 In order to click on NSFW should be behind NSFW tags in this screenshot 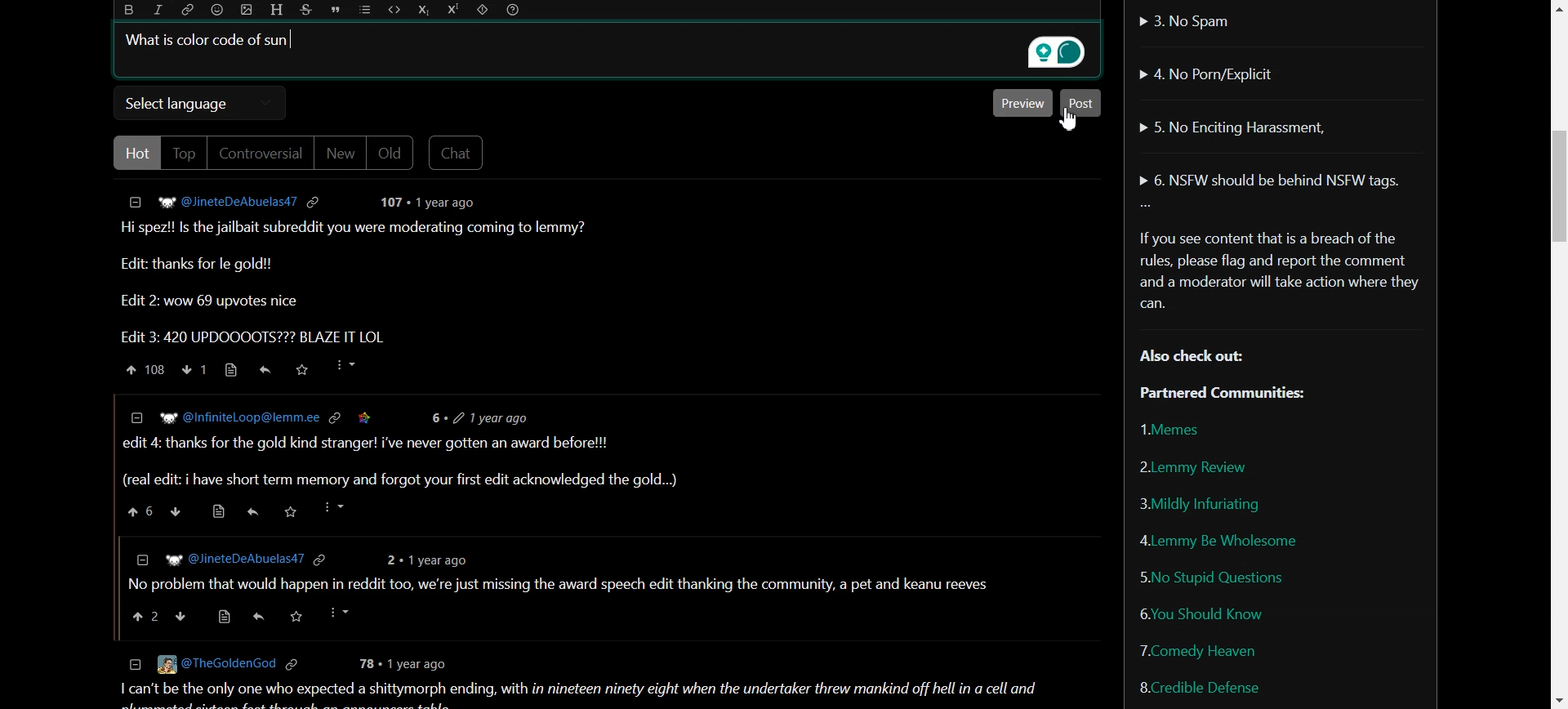, I will do `click(1271, 177)`.